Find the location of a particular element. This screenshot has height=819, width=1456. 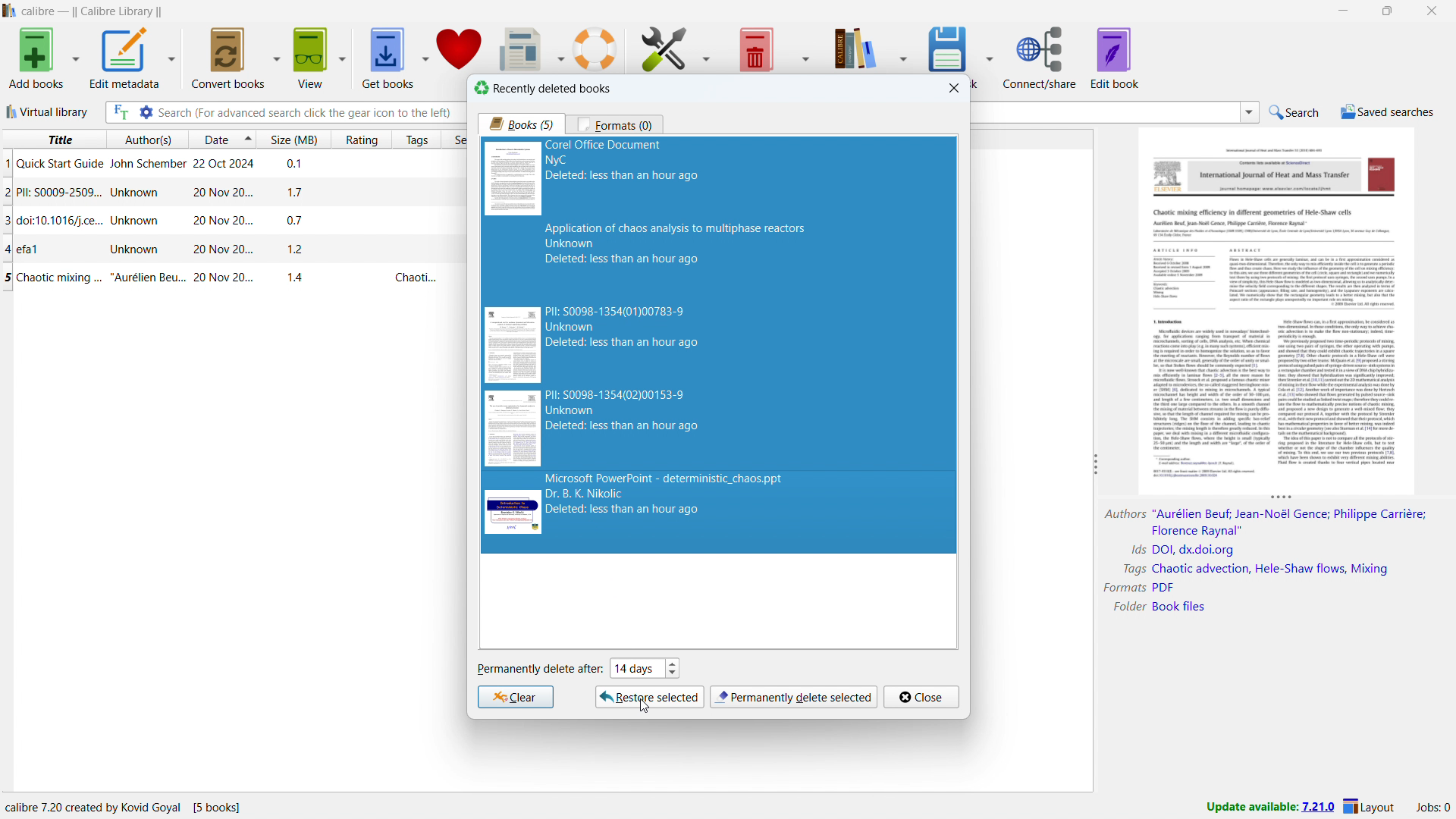

restore selcted is located at coordinates (651, 697).